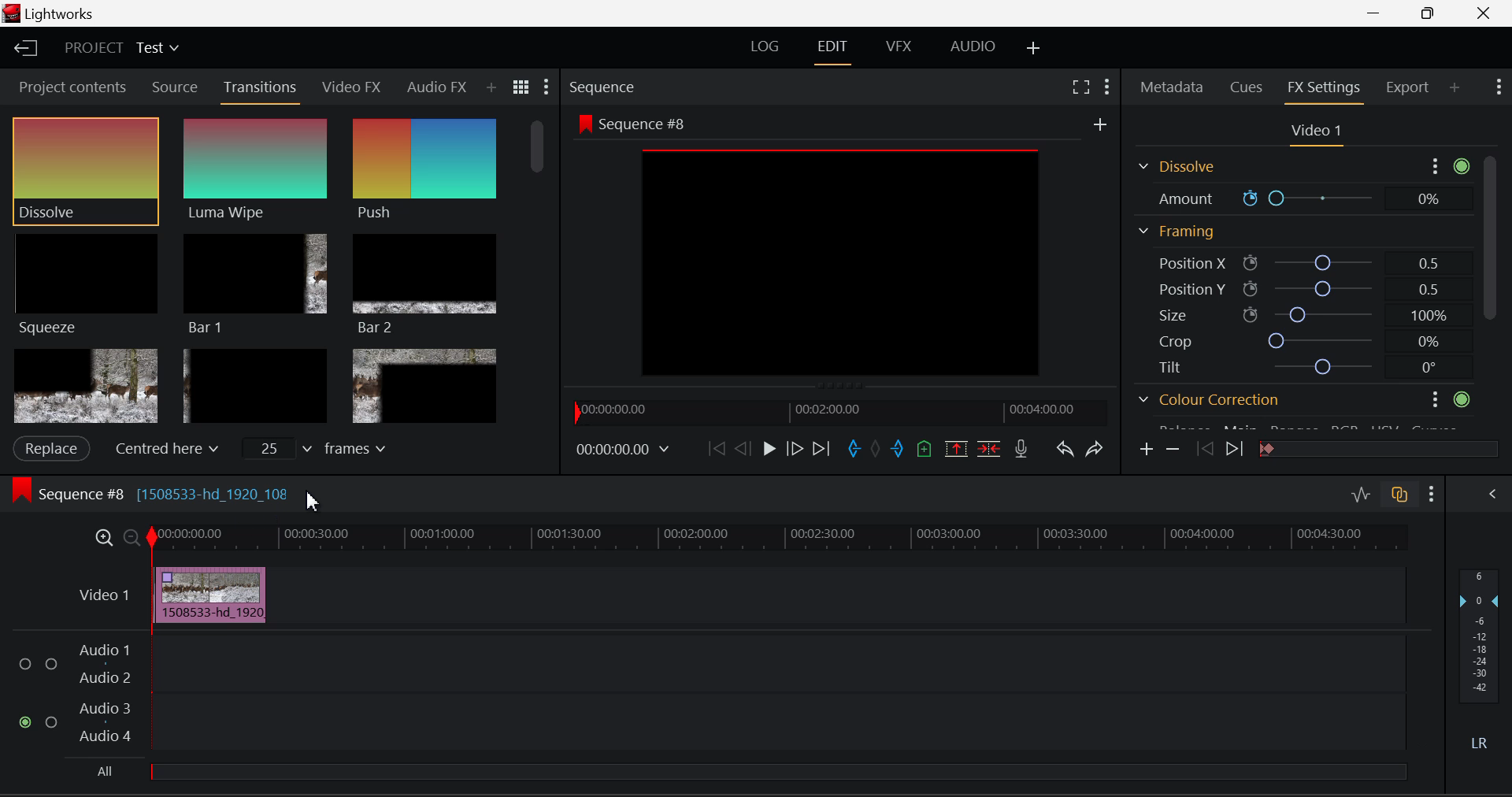  Describe the element at coordinates (767, 450) in the screenshot. I see `Play` at that location.